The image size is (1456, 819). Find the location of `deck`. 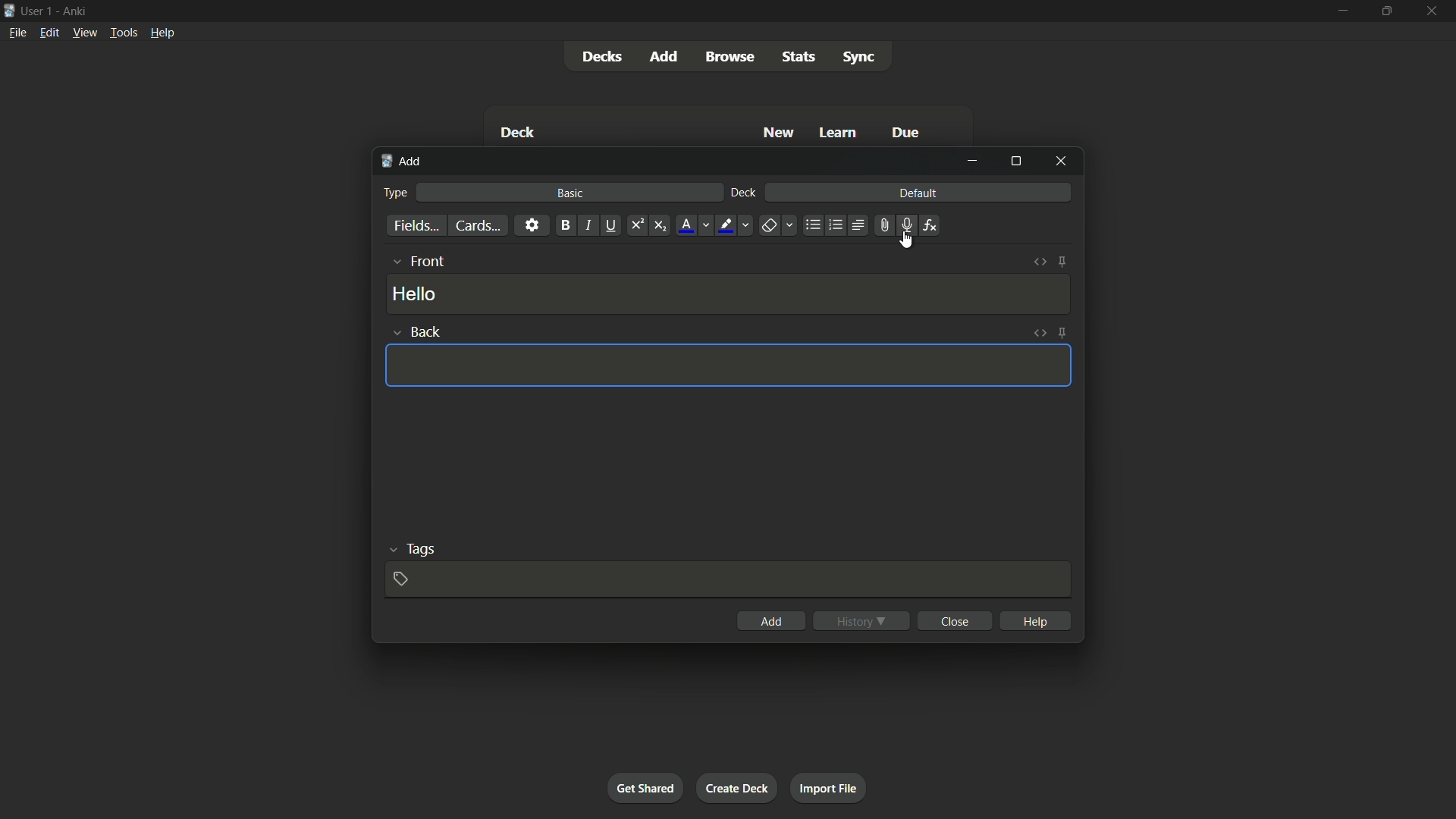

deck is located at coordinates (518, 132).